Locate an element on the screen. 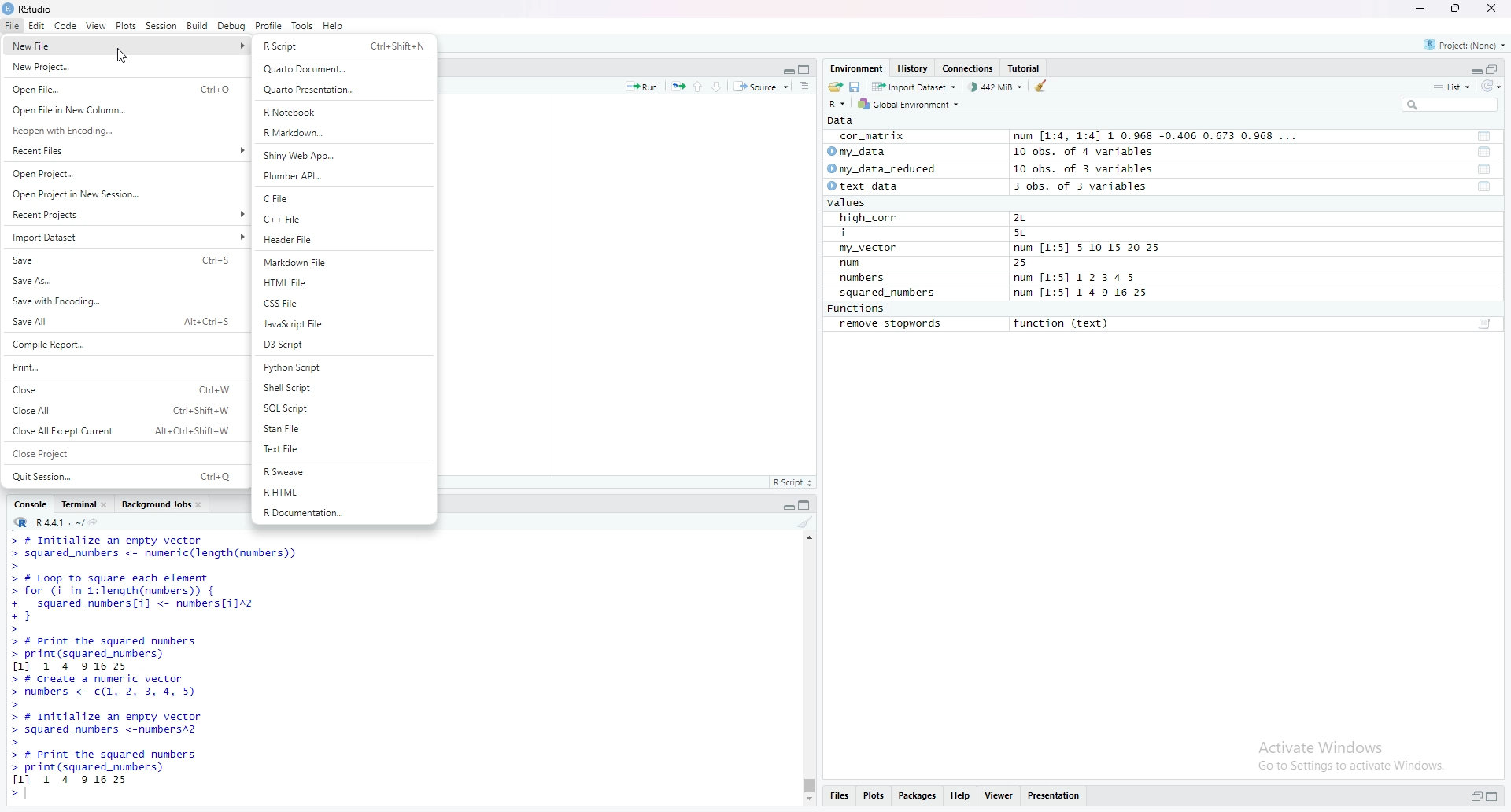 The image size is (1511, 812). 5L is located at coordinates (1036, 232).